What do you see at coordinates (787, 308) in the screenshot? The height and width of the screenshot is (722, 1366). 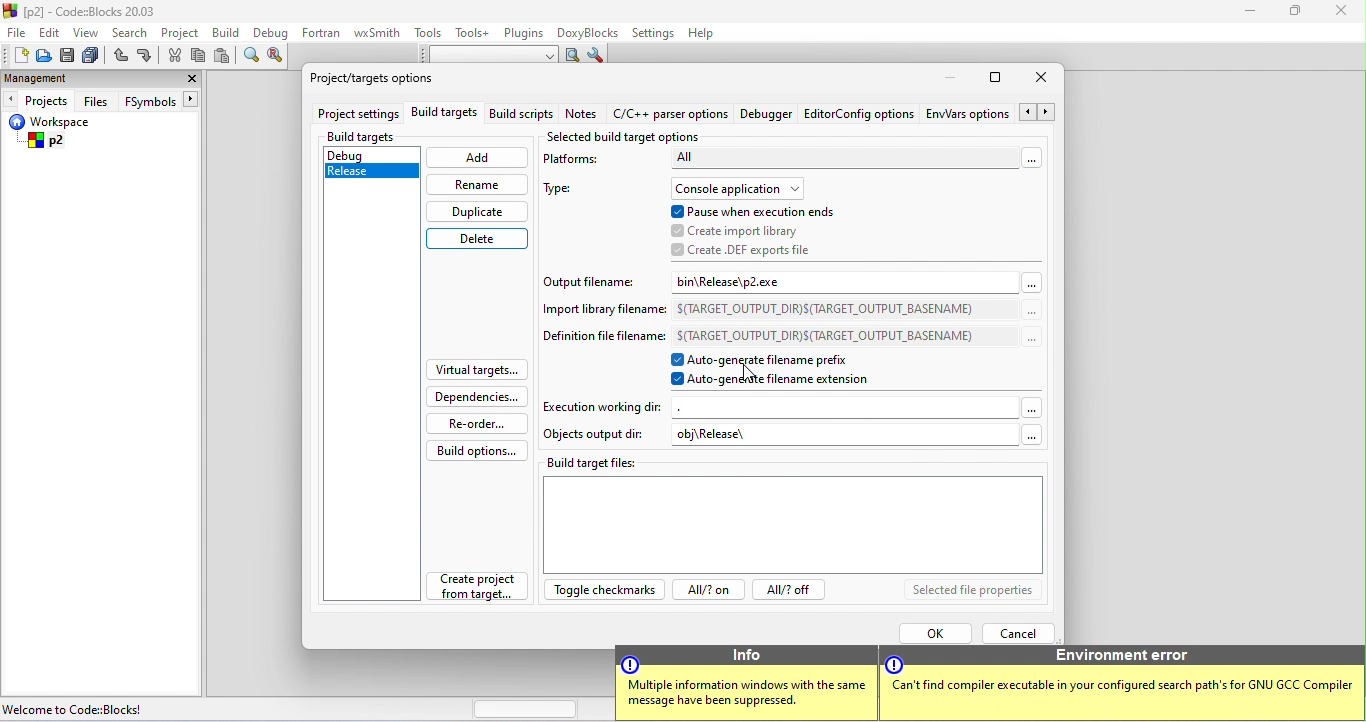 I see `Import library filename: S(TARGET_OUTPUT_DIR)S(TARGET_OUTPUT_BASENAME)` at bounding box center [787, 308].